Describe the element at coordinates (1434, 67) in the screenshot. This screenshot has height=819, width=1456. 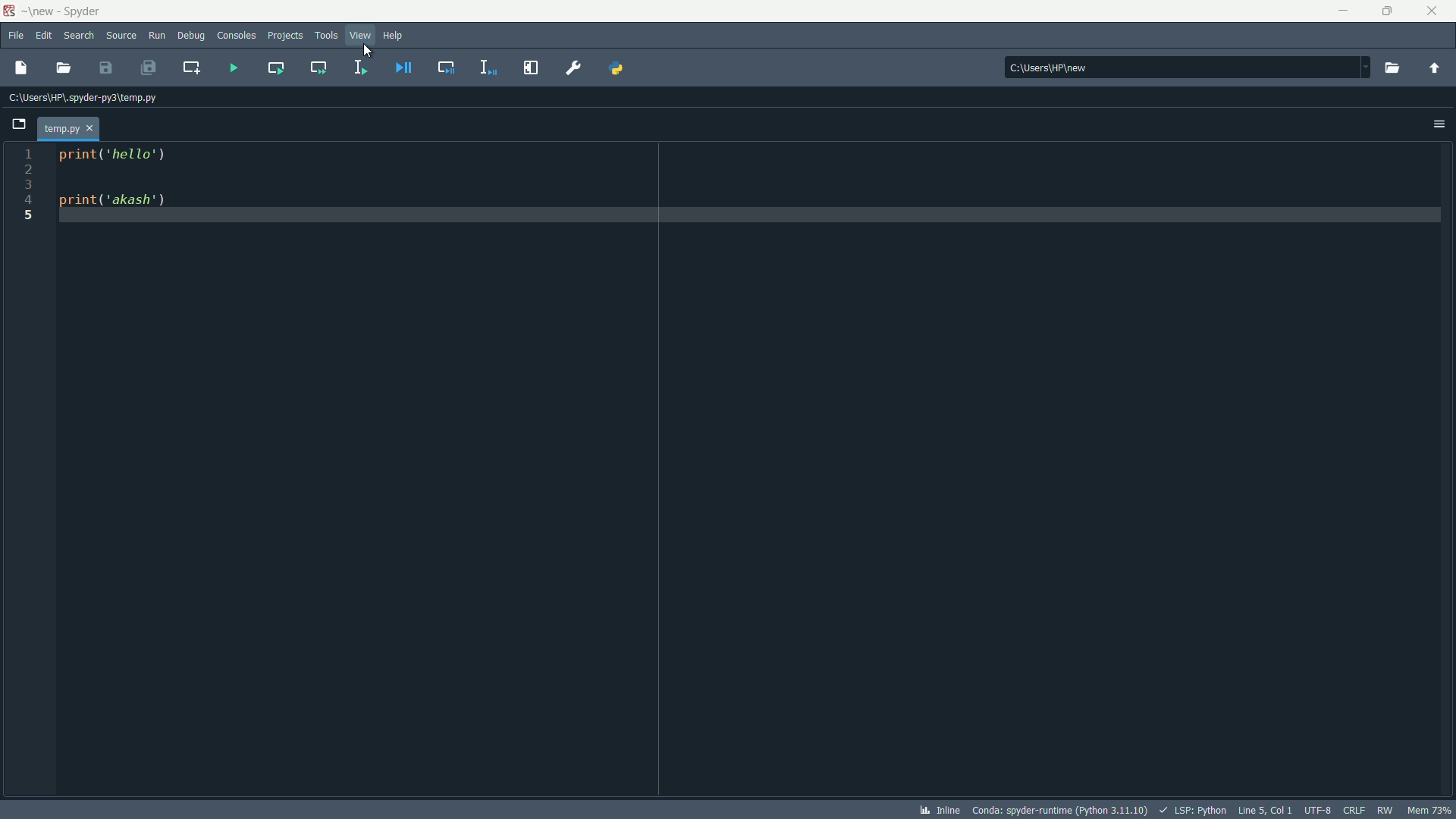
I see `change to parent directory` at that location.